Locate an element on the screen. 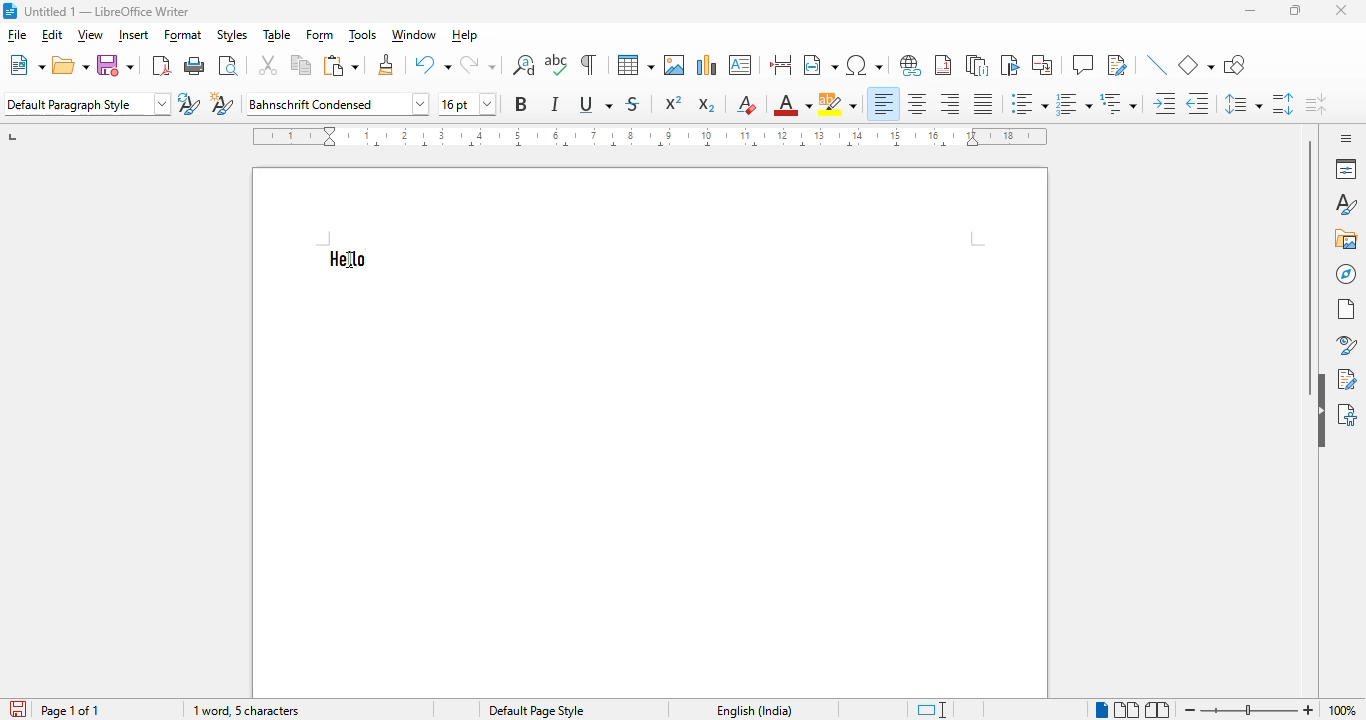 This screenshot has height=720, width=1366. text language is located at coordinates (750, 710).